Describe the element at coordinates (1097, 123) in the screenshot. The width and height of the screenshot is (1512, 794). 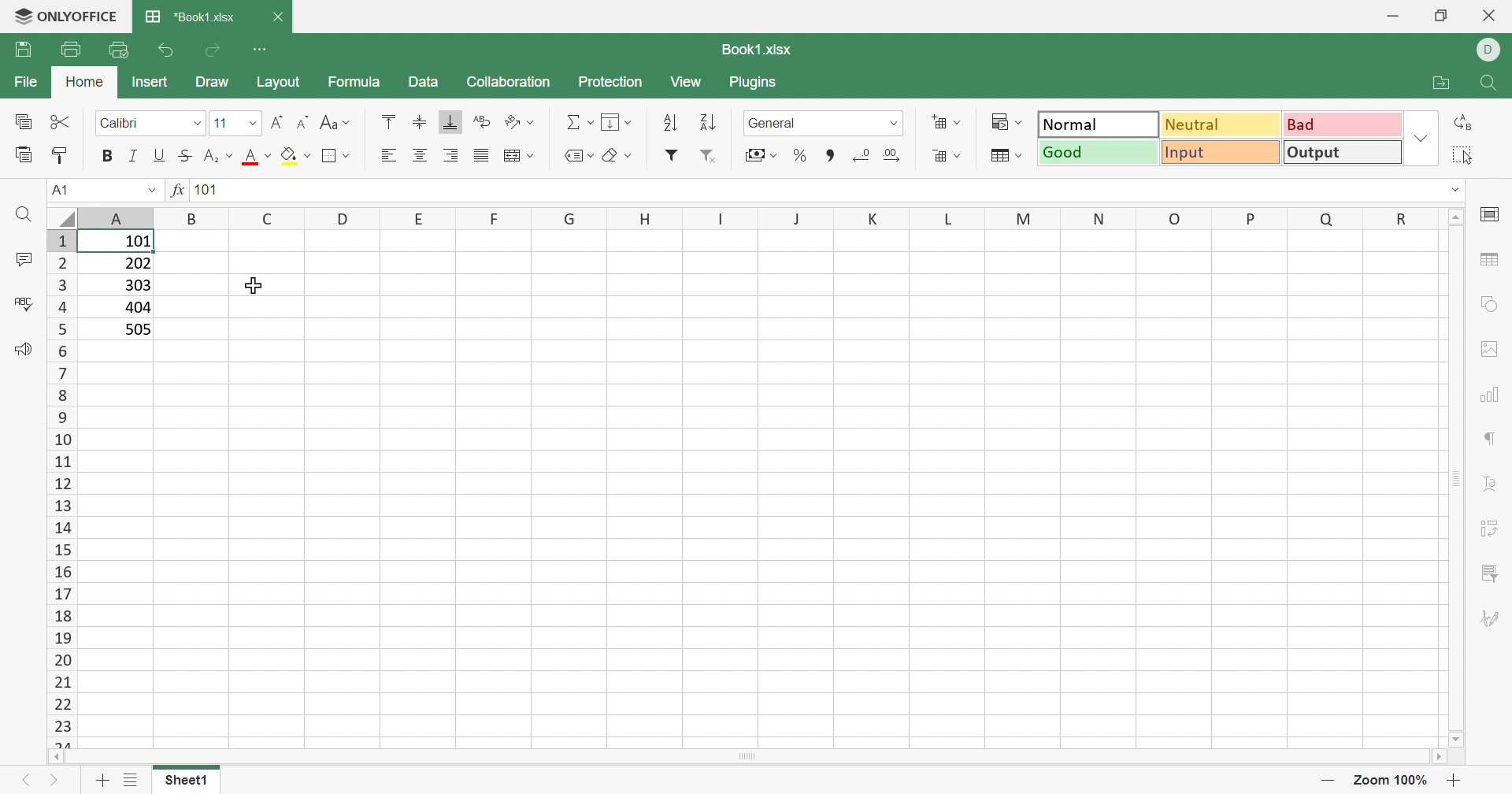
I see `Normal` at that location.